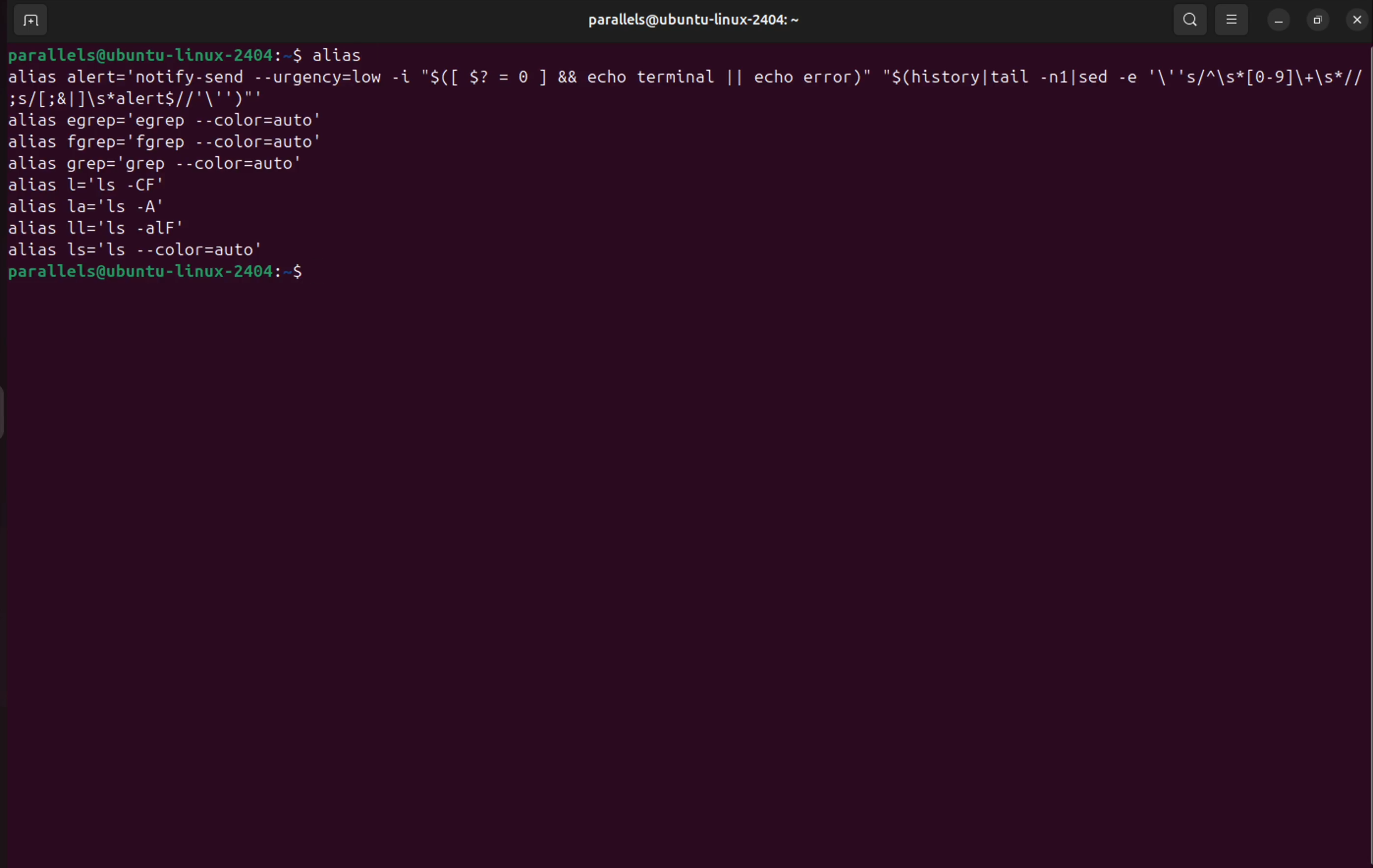 This screenshot has height=868, width=1373. Describe the element at coordinates (1278, 21) in the screenshot. I see `minimize` at that location.